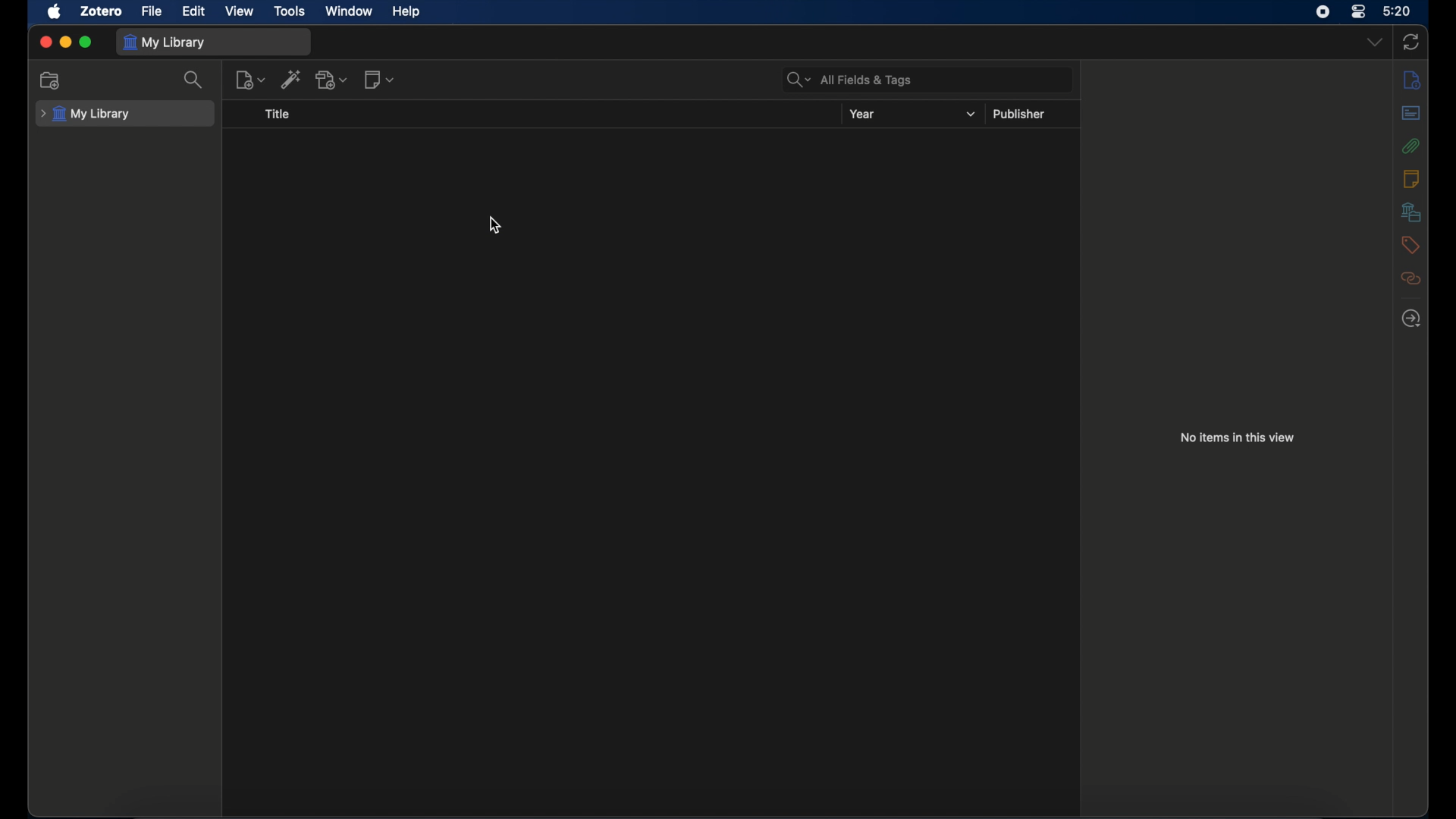 This screenshot has width=1456, height=819. What do you see at coordinates (251, 79) in the screenshot?
I see `new item` at bounding box center [251, 79].